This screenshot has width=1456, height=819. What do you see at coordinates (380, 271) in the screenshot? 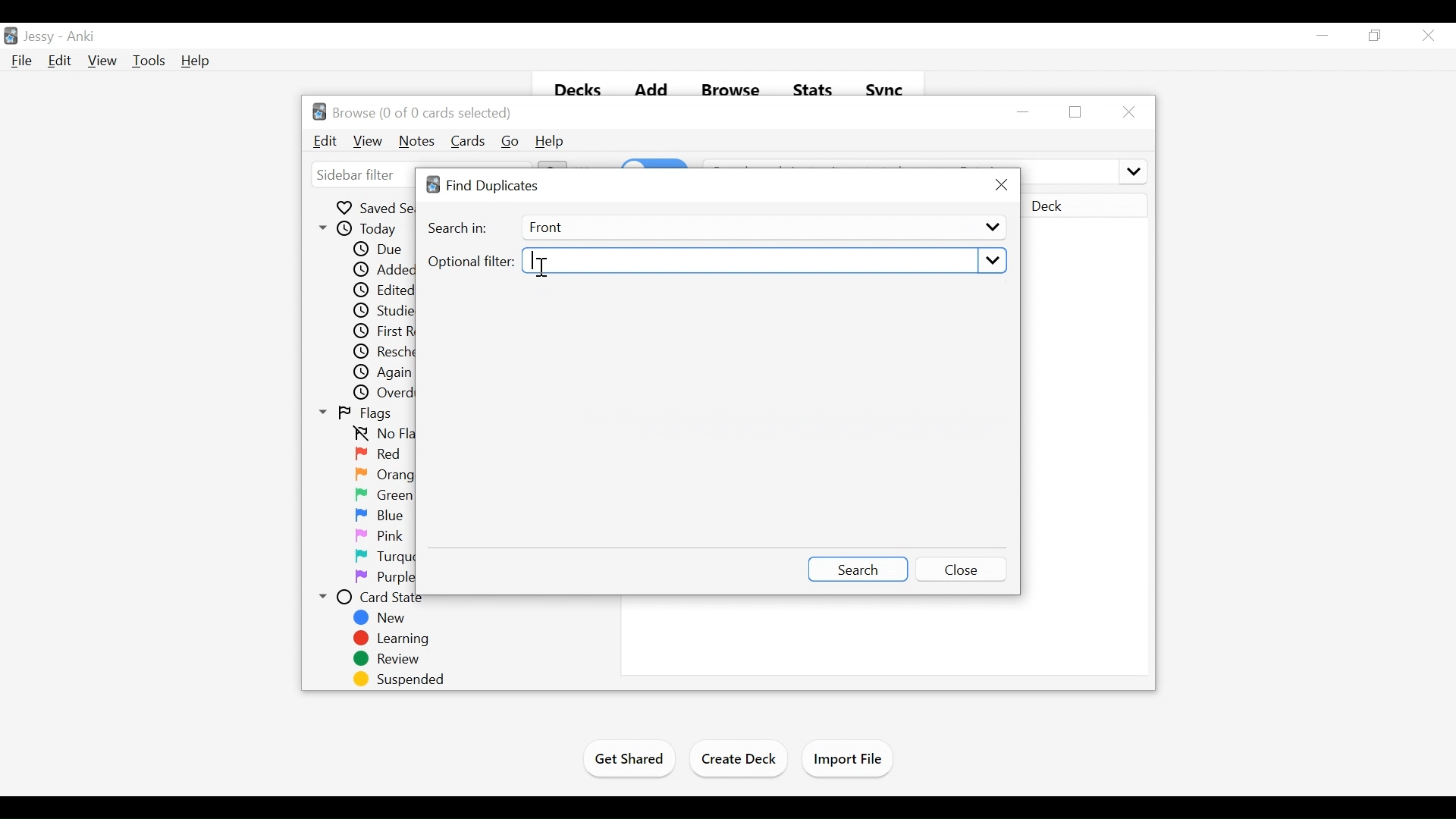
I see `Added` at bounding box center [380, 271].